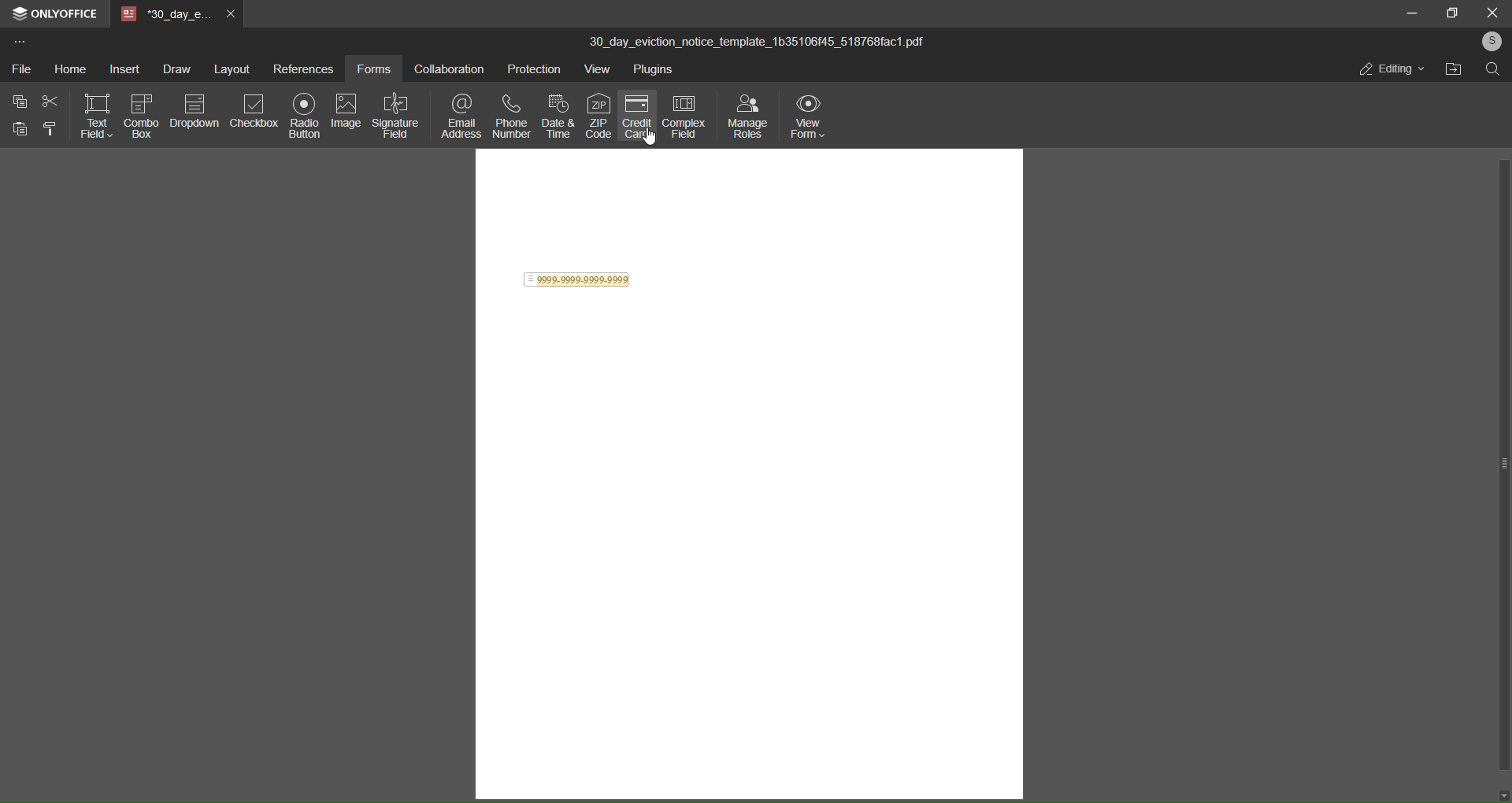 The height and width of the screenshot is (803, 1512). I want to click on user, so click(1491, 40).